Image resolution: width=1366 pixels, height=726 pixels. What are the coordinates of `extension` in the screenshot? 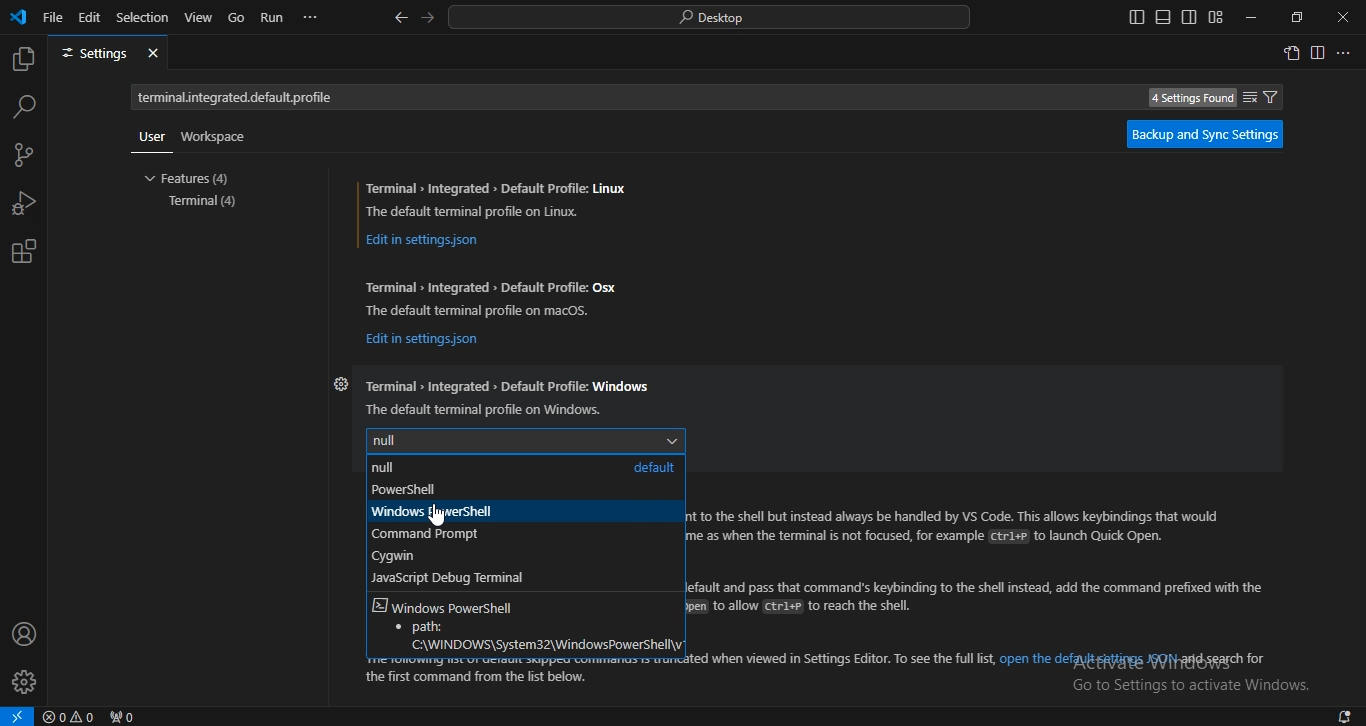 It's located at (25, 251).